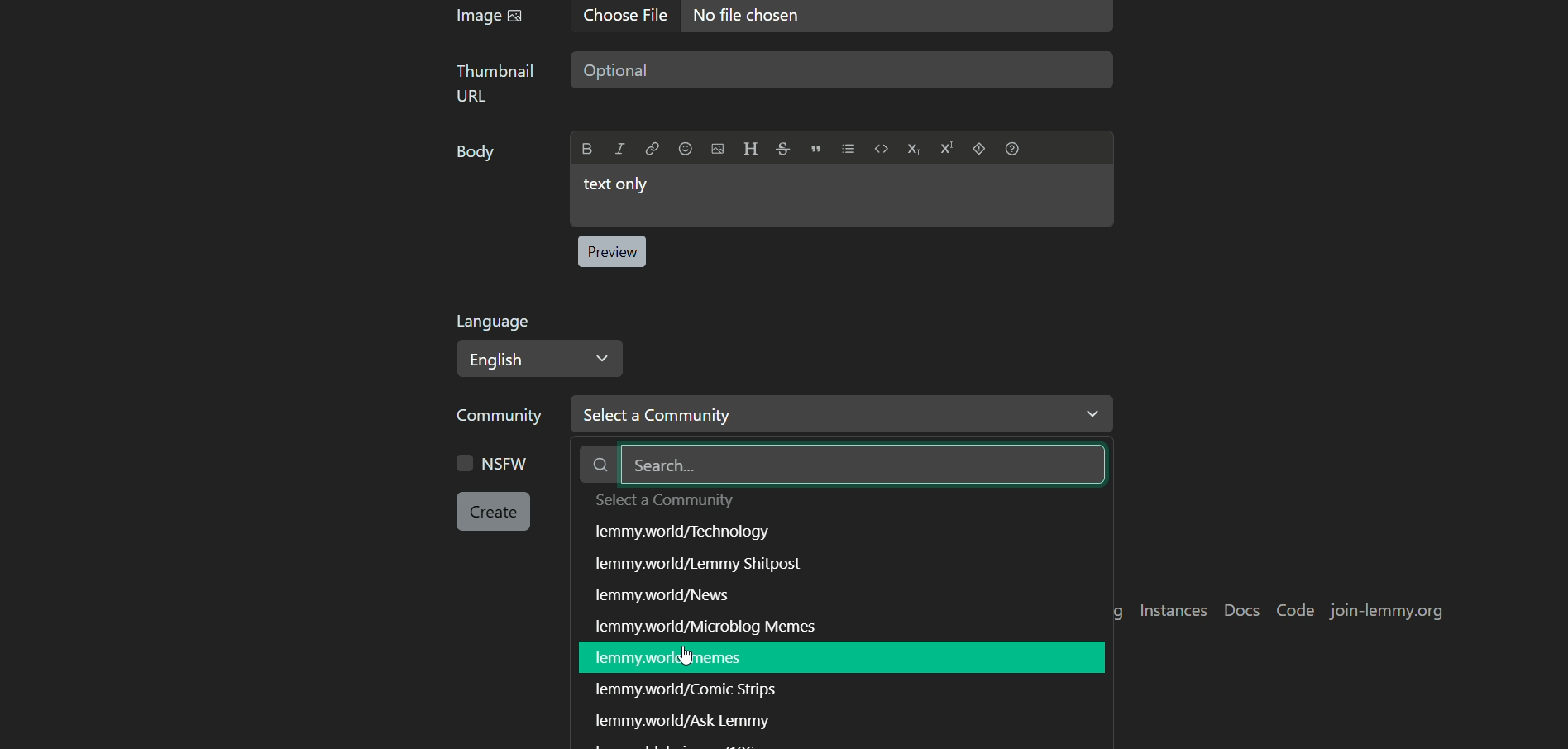 The width and height of the screenshot is (1568, 749). I want to click on List, so click(849, 149).